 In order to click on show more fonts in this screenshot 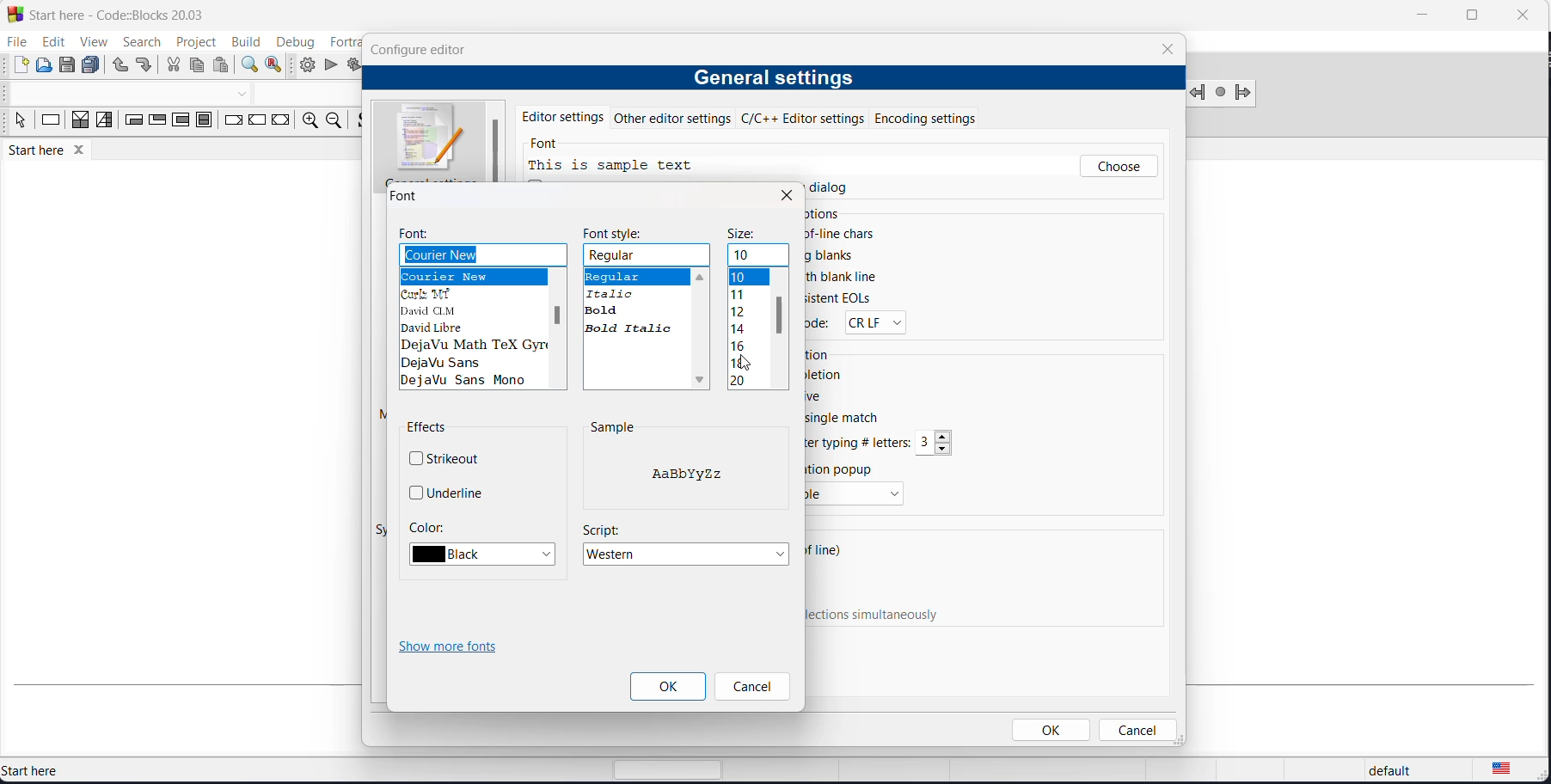, I will do `click(452, 648)`.